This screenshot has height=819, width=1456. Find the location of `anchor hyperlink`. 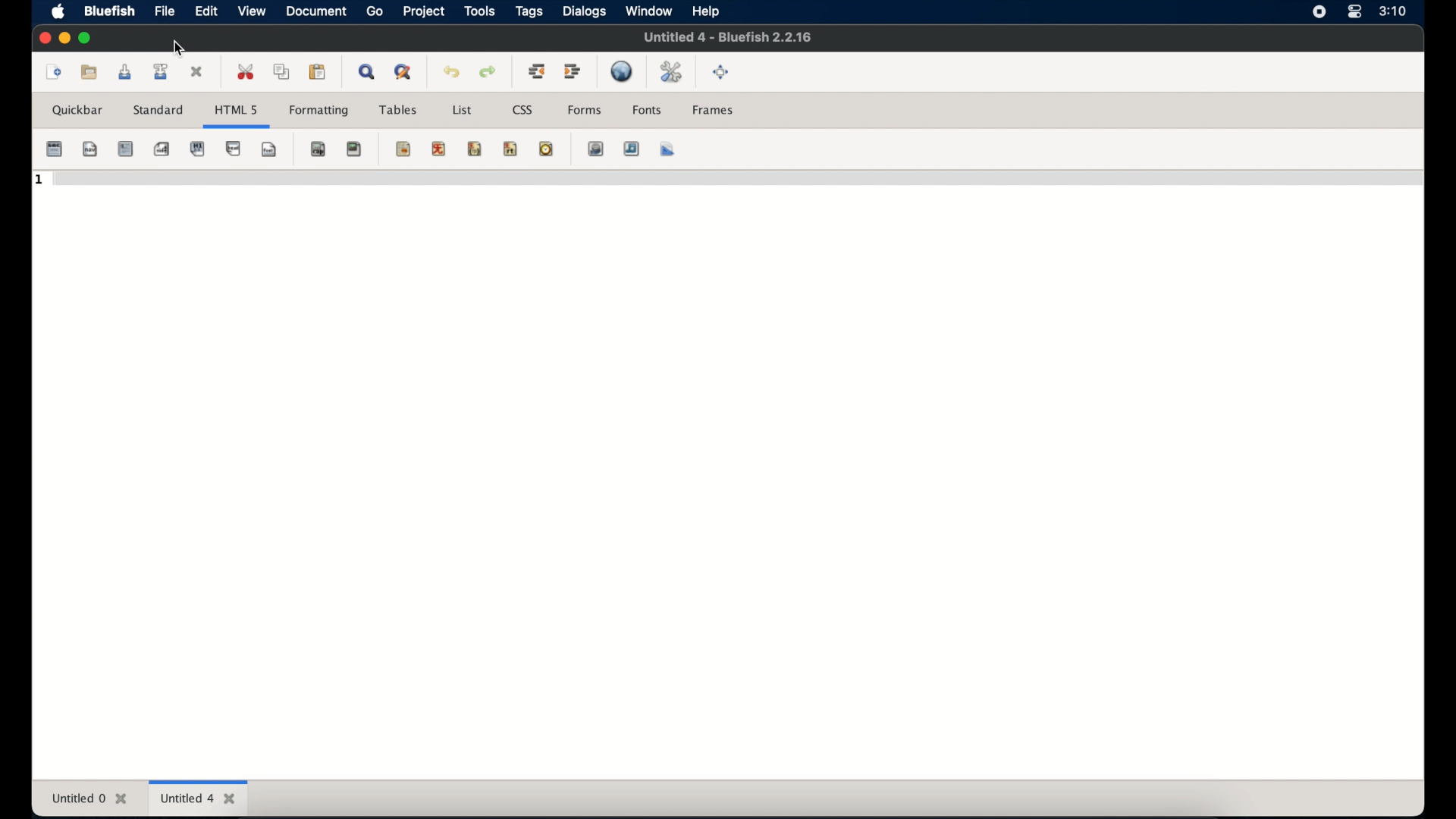

anchor hyperlink is located at coordinates (355, 149).